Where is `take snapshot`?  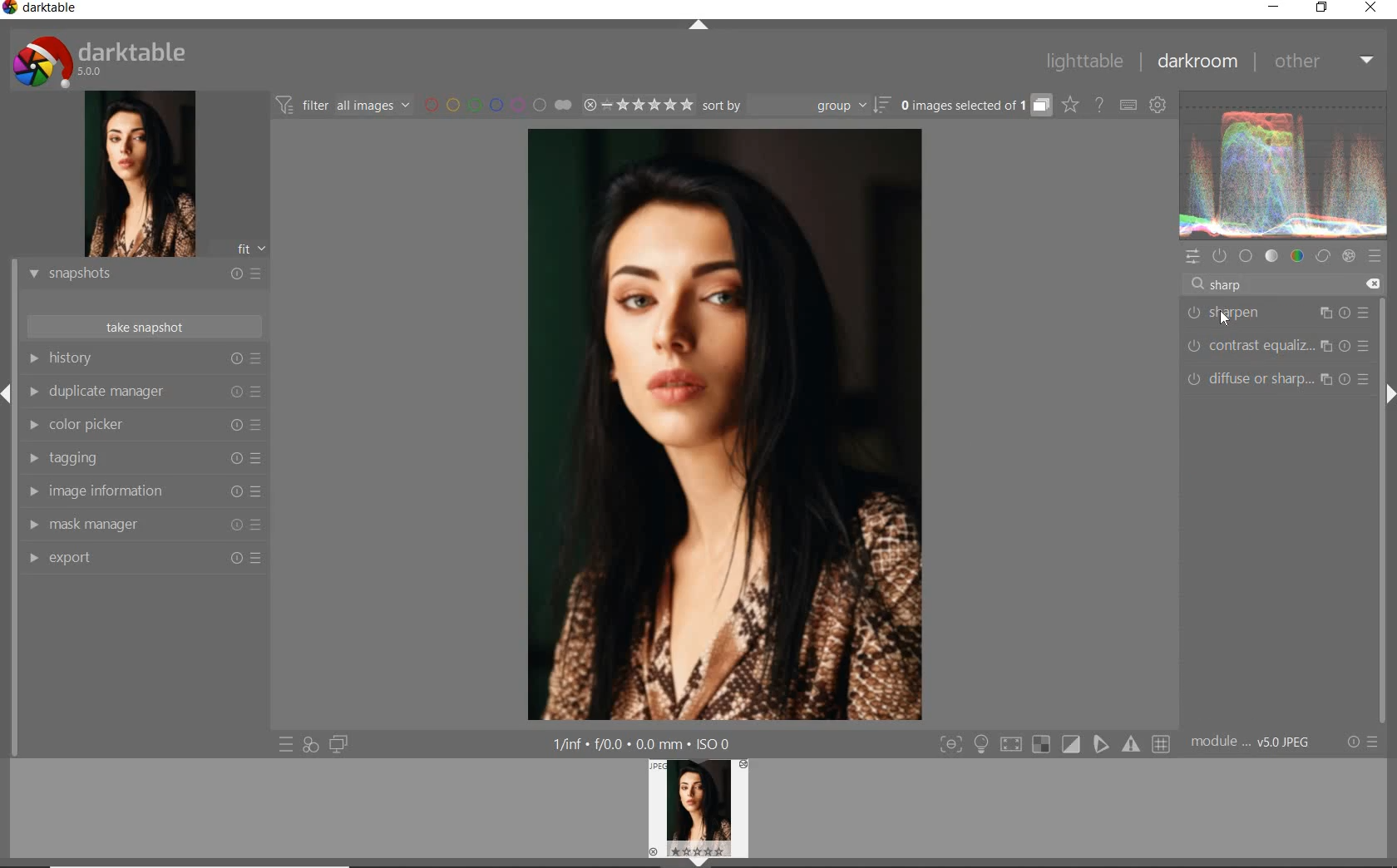 take snapshot is located at coordinates (143, 328).